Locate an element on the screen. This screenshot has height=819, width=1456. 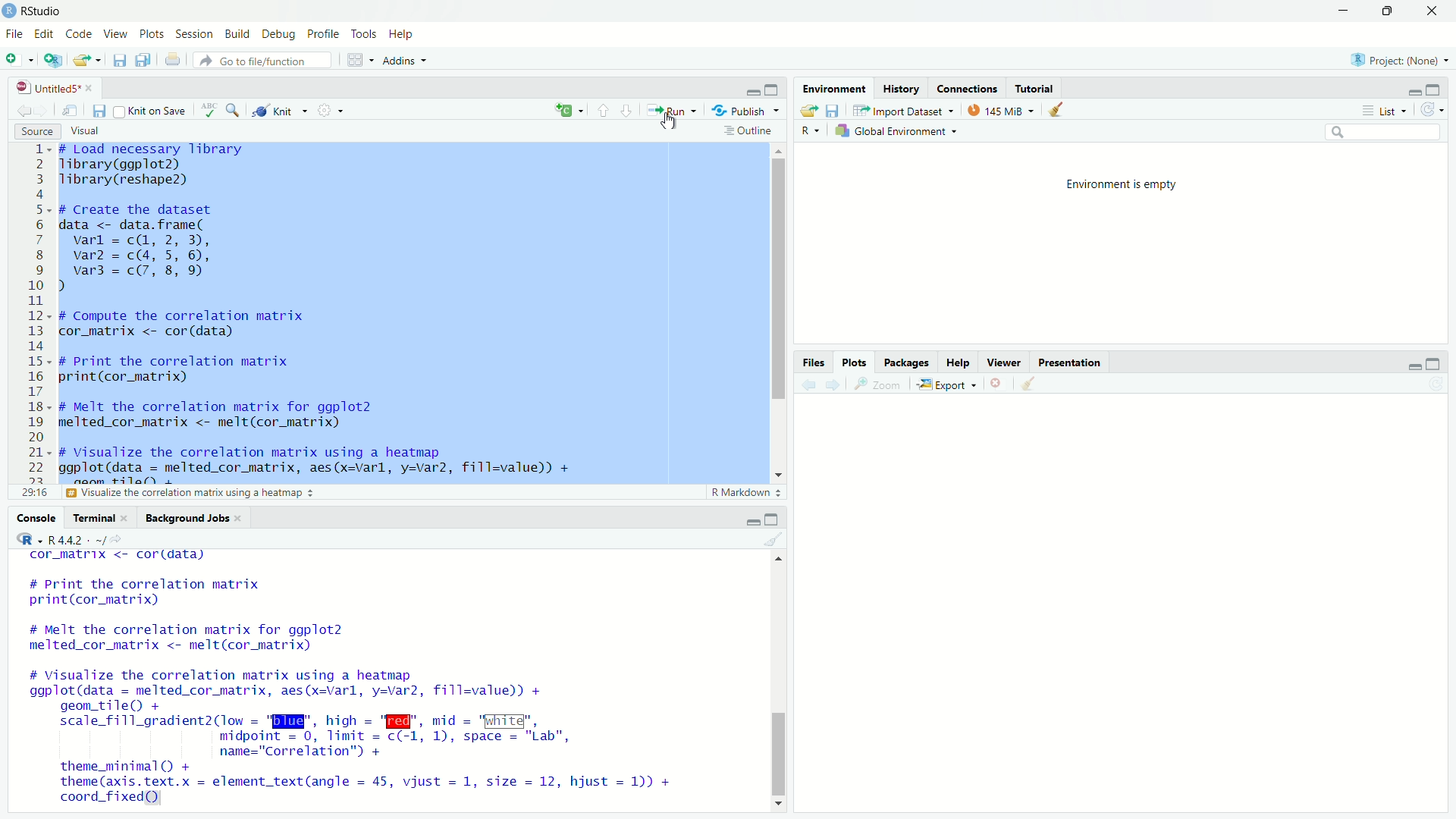
new file is located at coordinates (15, 60).